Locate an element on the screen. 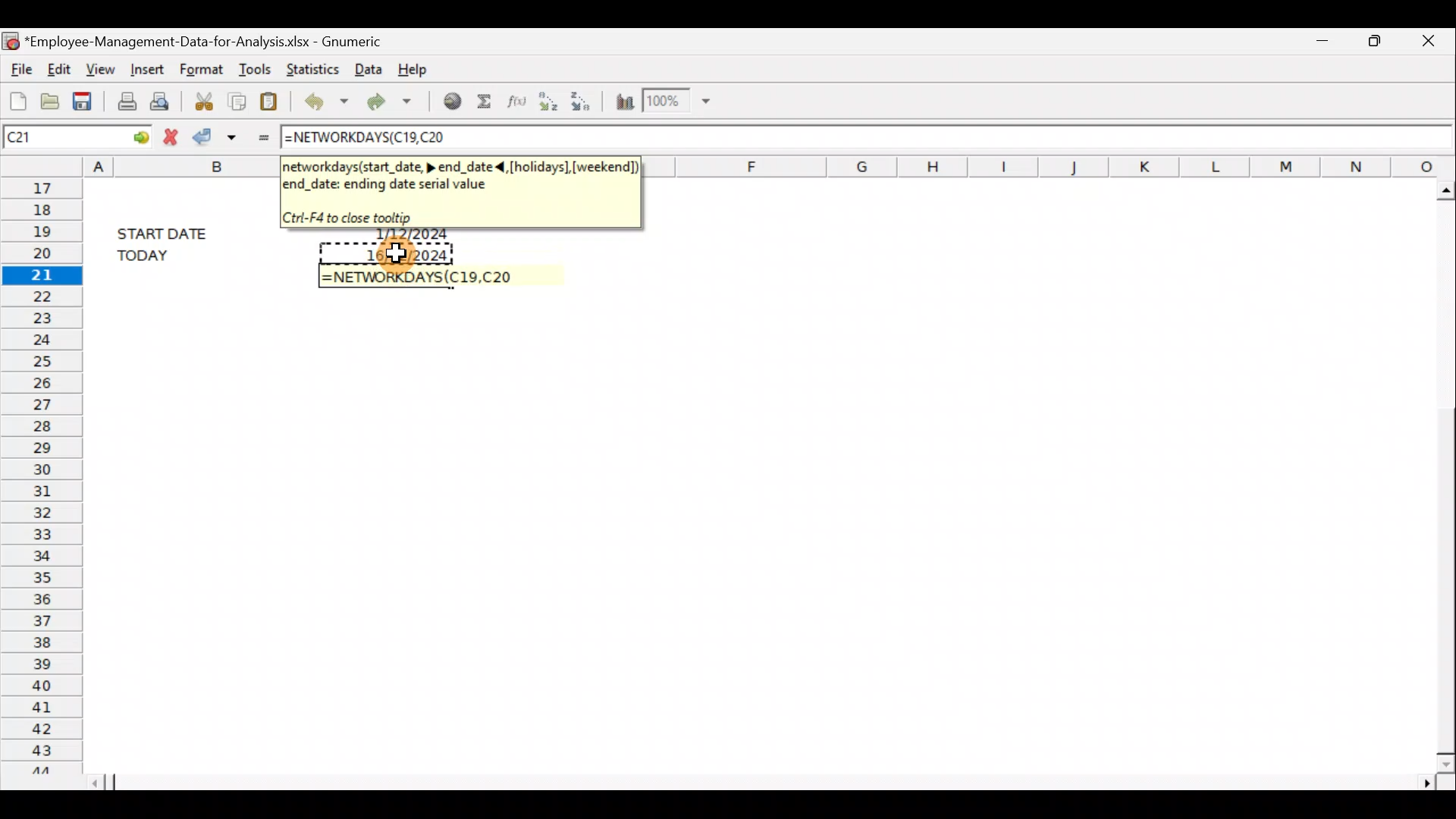 The width and height of the screenshot is (1456, 819). GO TO is located at coordinates (127, 136).